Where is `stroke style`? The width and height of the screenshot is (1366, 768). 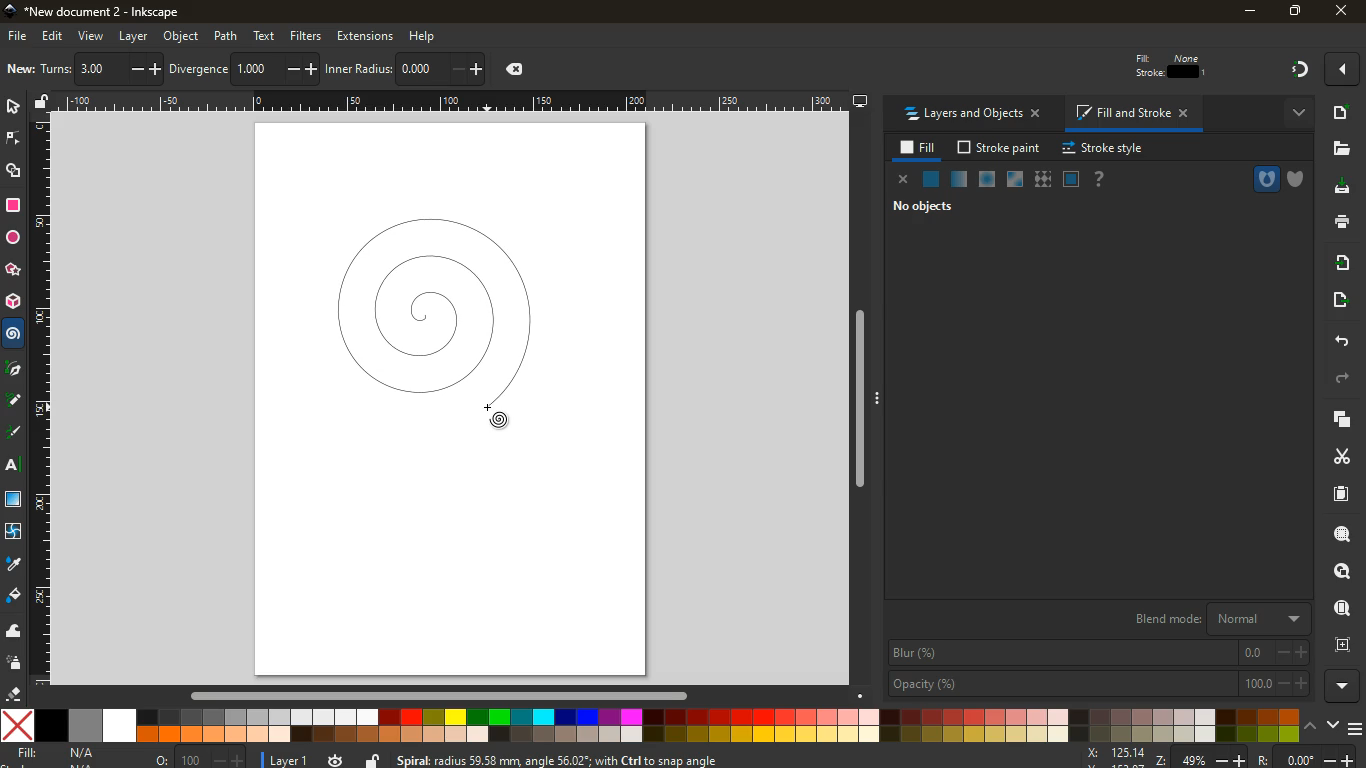
stroke style is located at coordinates (1106, 149).